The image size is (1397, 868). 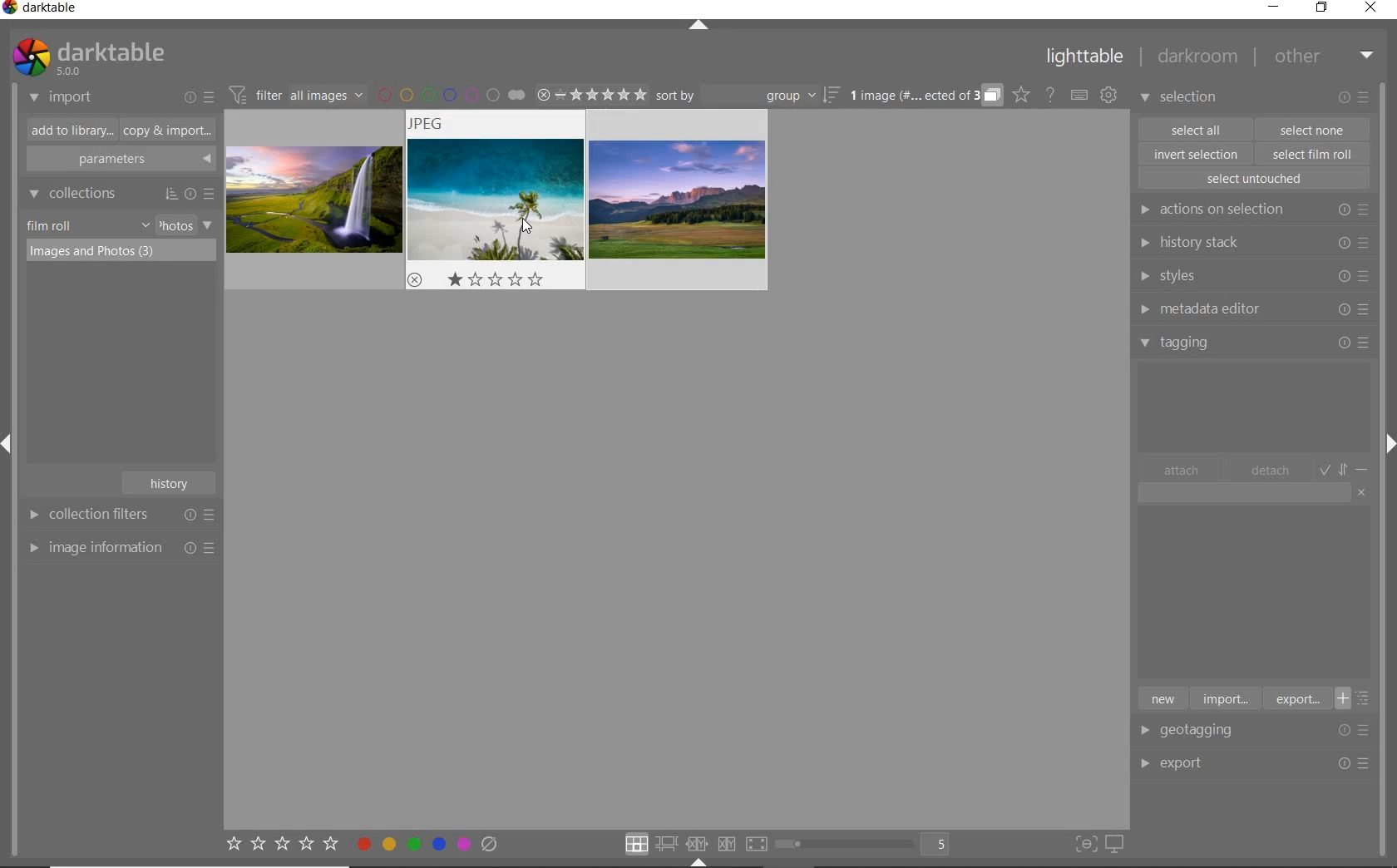 I want to click on filter images based on their module order, so click(x=294, y=93).